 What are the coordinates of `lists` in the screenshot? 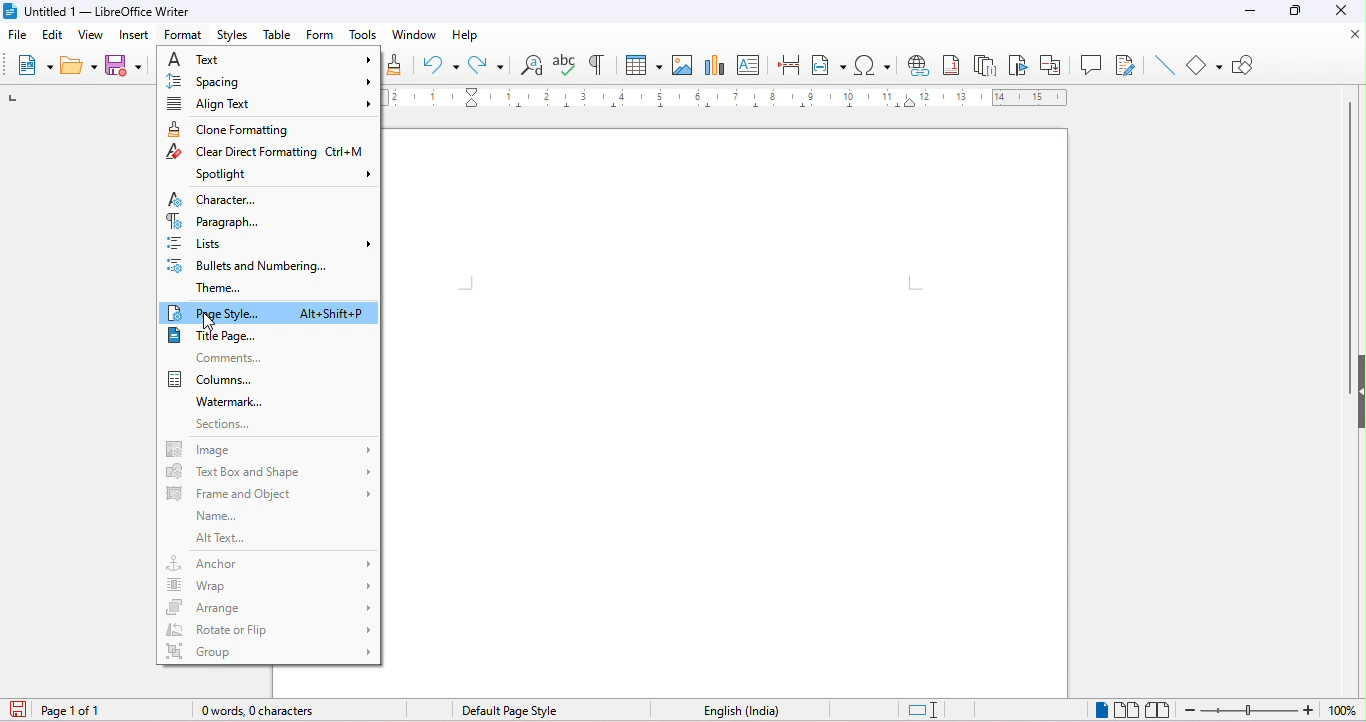 It's located at (275, 243).